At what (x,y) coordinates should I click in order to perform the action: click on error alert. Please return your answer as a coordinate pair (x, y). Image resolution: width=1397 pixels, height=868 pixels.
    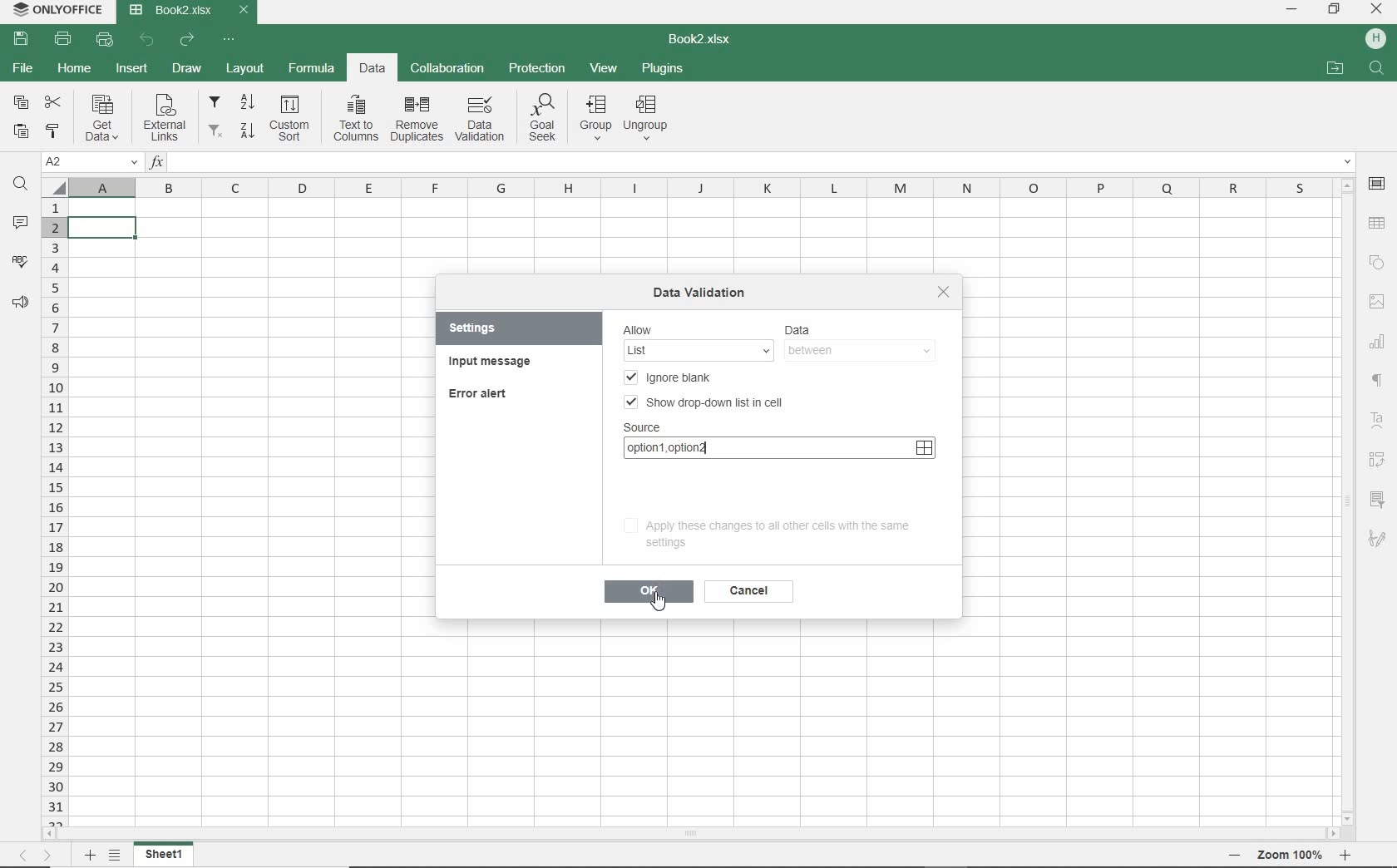
    Looking at the image, I should click on (483, 392).